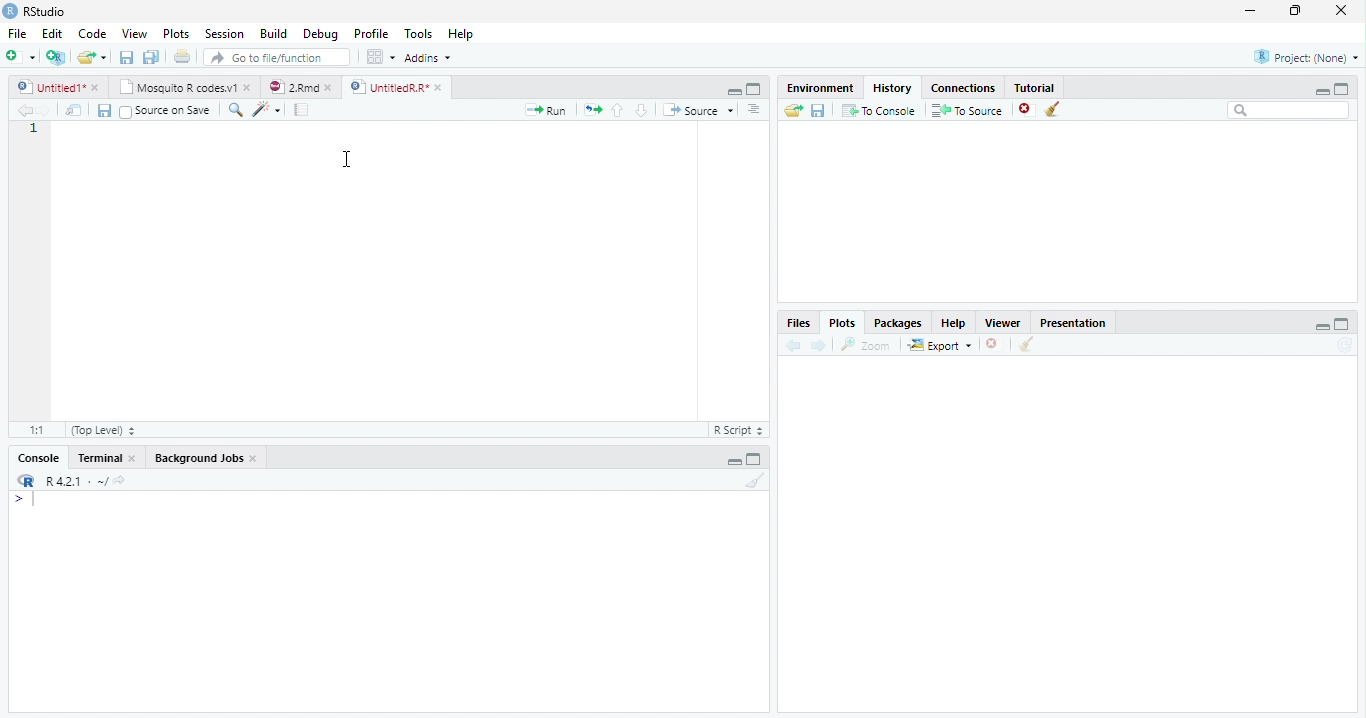  I want to click on Minimize, so click(1318, 326).